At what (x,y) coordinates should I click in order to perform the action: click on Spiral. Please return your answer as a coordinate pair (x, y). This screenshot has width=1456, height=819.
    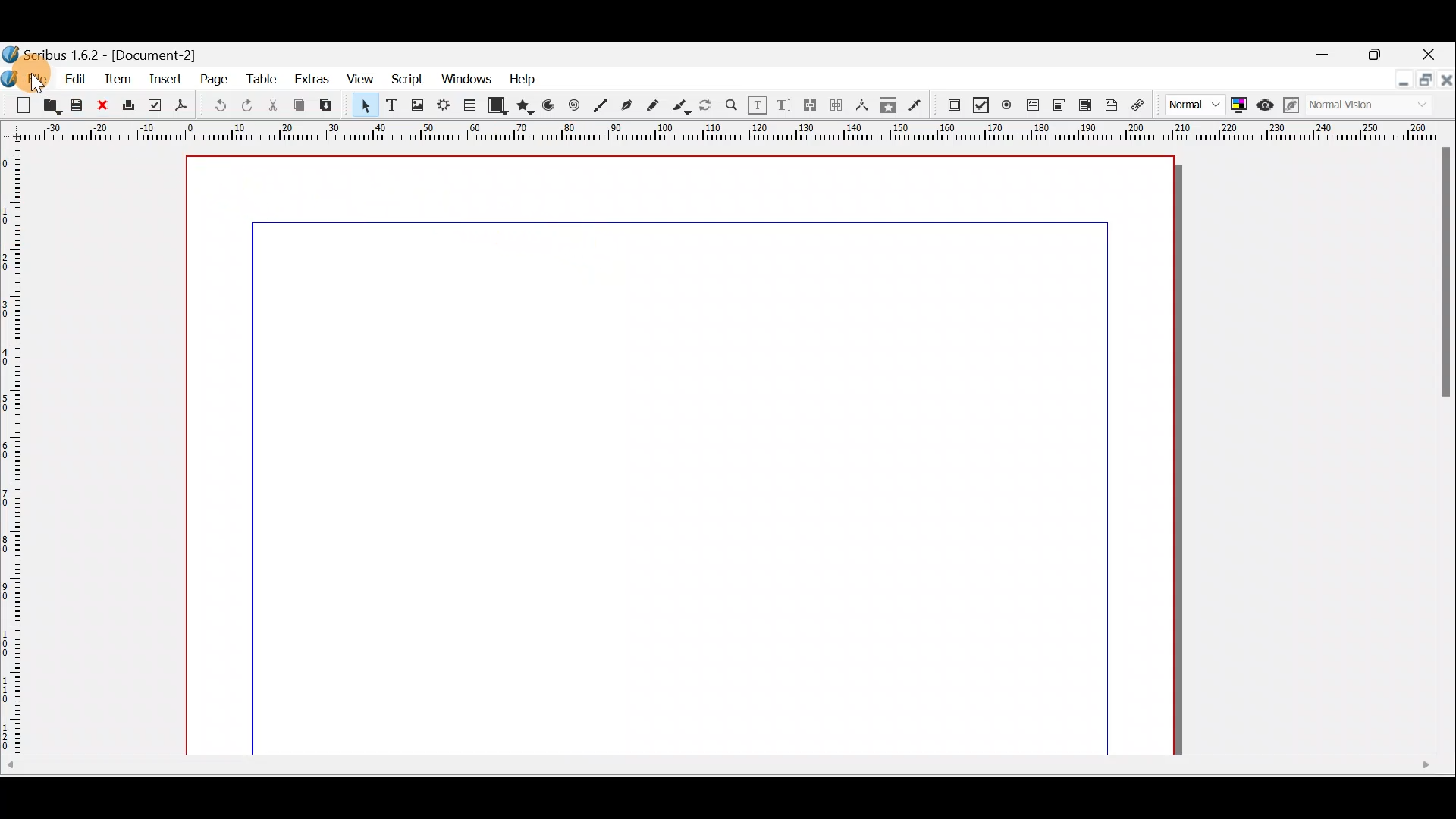
    Looking at the image, I should click on (574, 105).